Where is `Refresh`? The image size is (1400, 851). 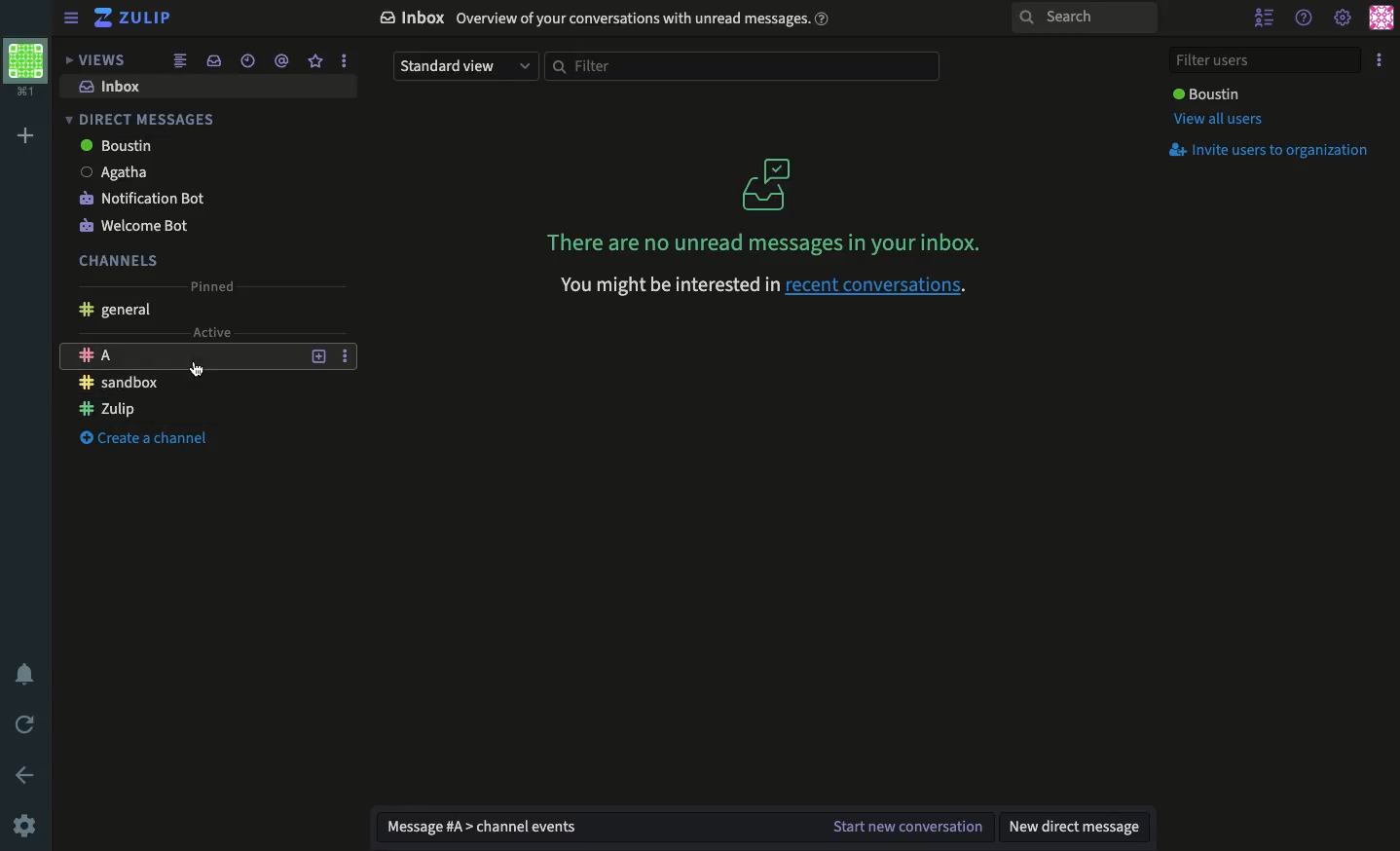
Refresh is located at coordinates (25, 726).